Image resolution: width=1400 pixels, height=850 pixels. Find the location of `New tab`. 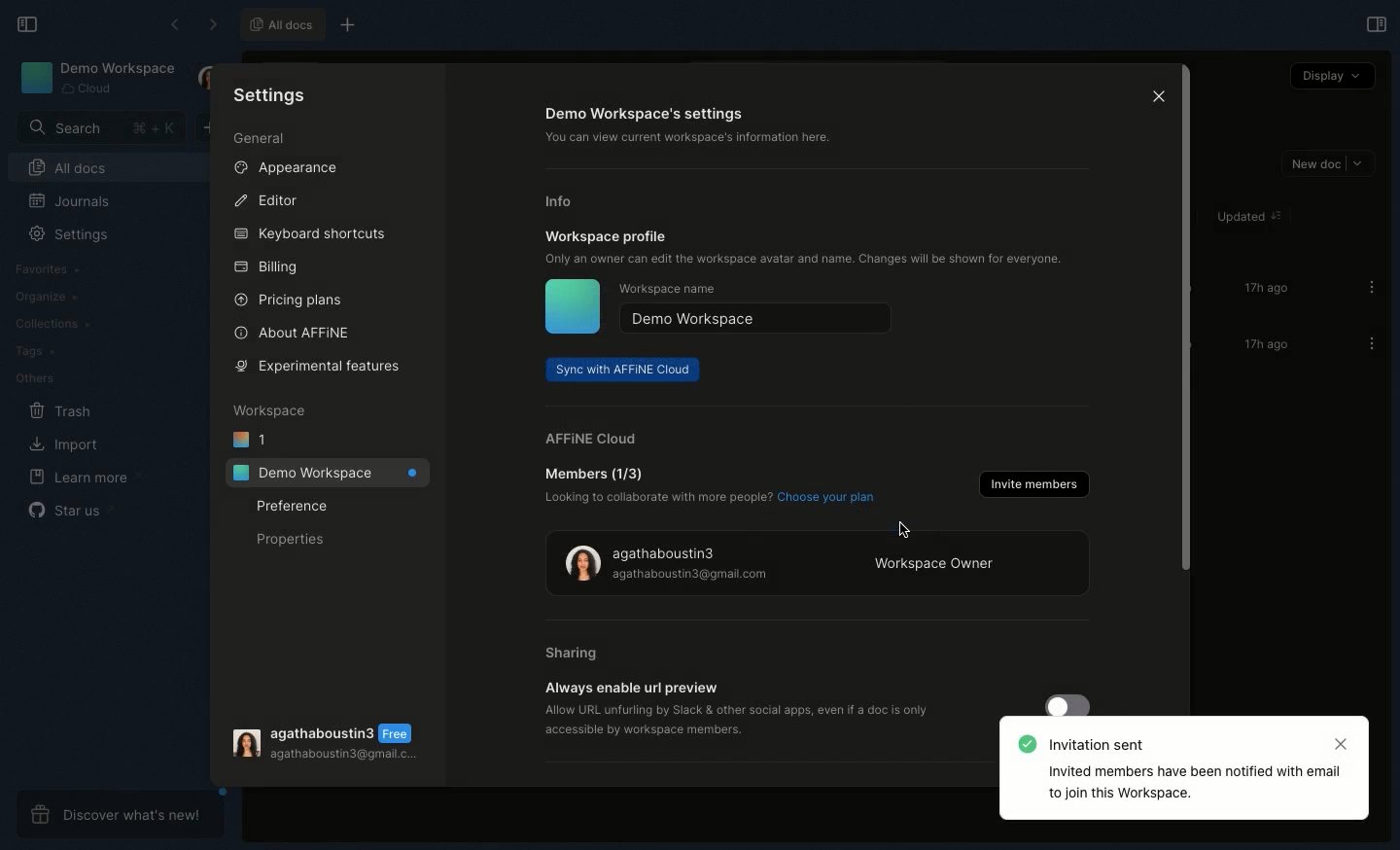

New tab is located at coordinates (357, 23).